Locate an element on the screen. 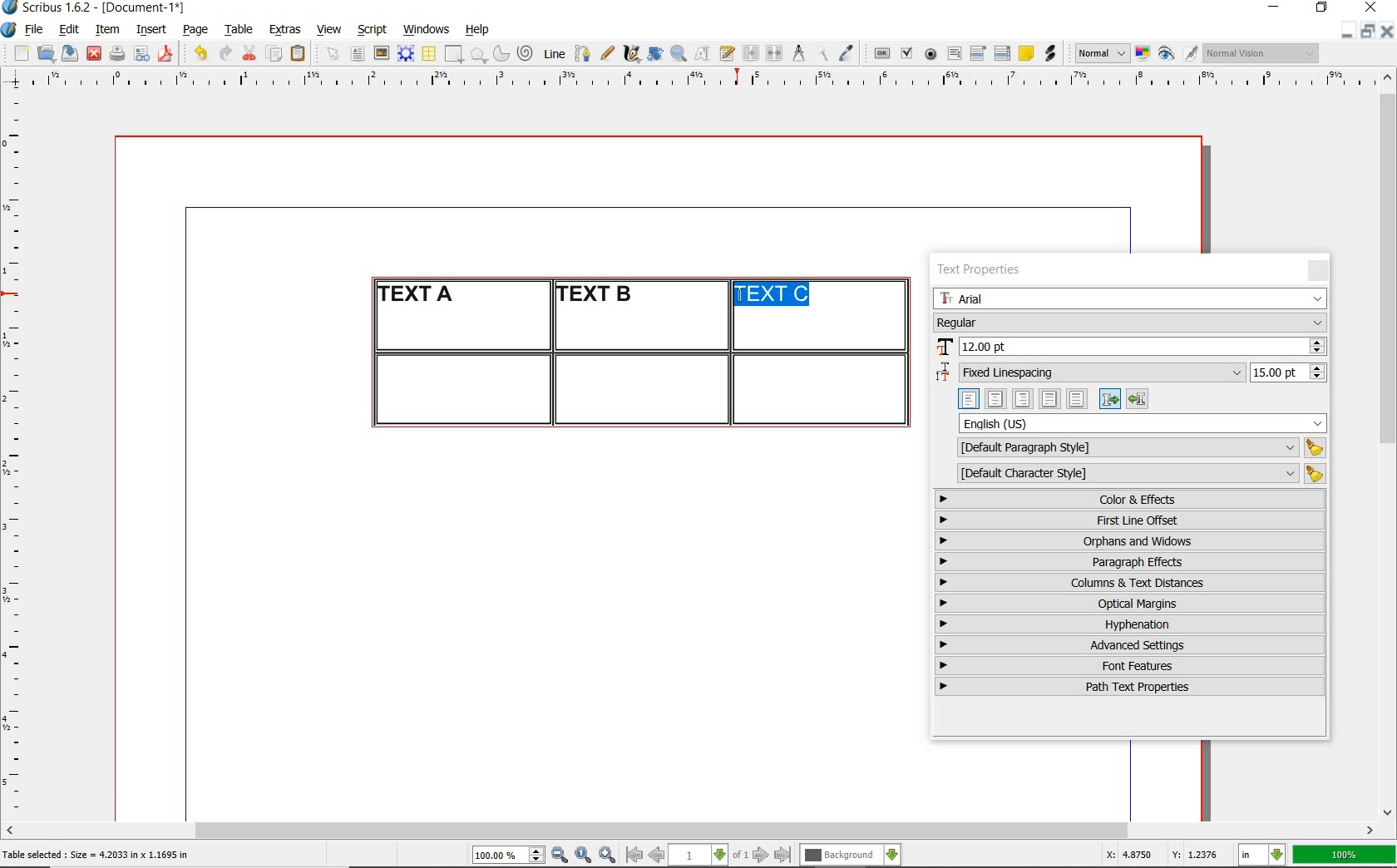  pdf combo box is located at coordinates (979, 52).